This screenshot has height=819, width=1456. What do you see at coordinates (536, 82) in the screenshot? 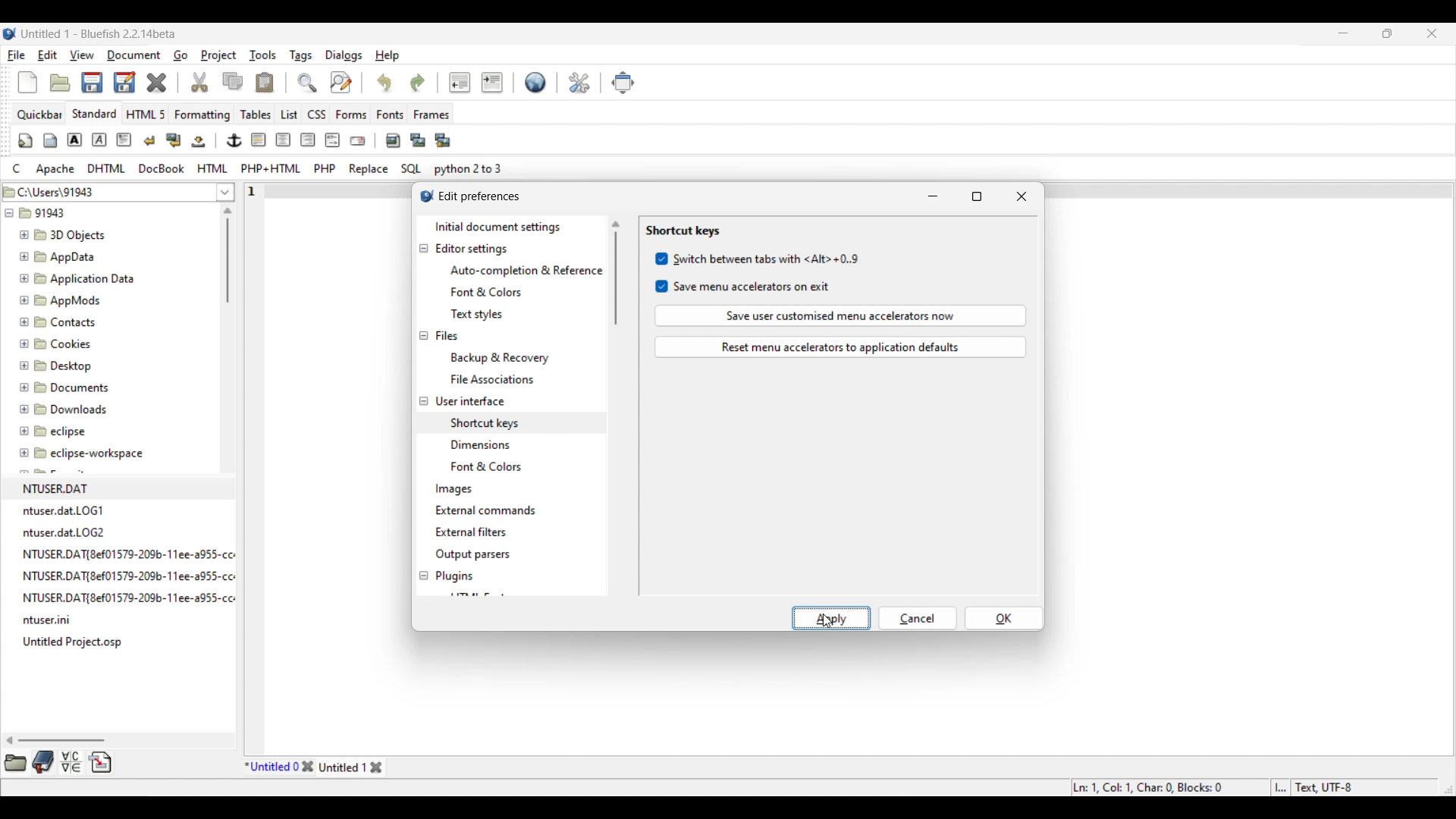
I see `Default settings` at bounding box center [536, 82].